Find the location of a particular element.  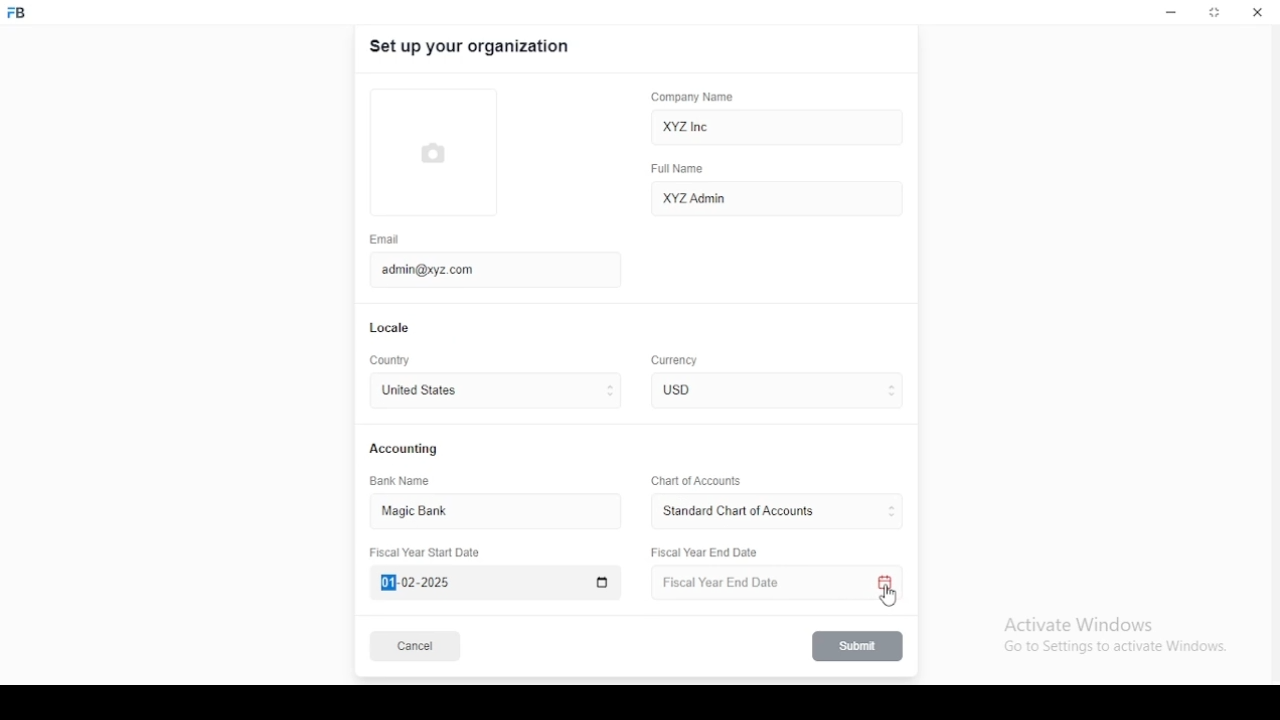

admin@xyz.com is located at coordinates (485, 268).